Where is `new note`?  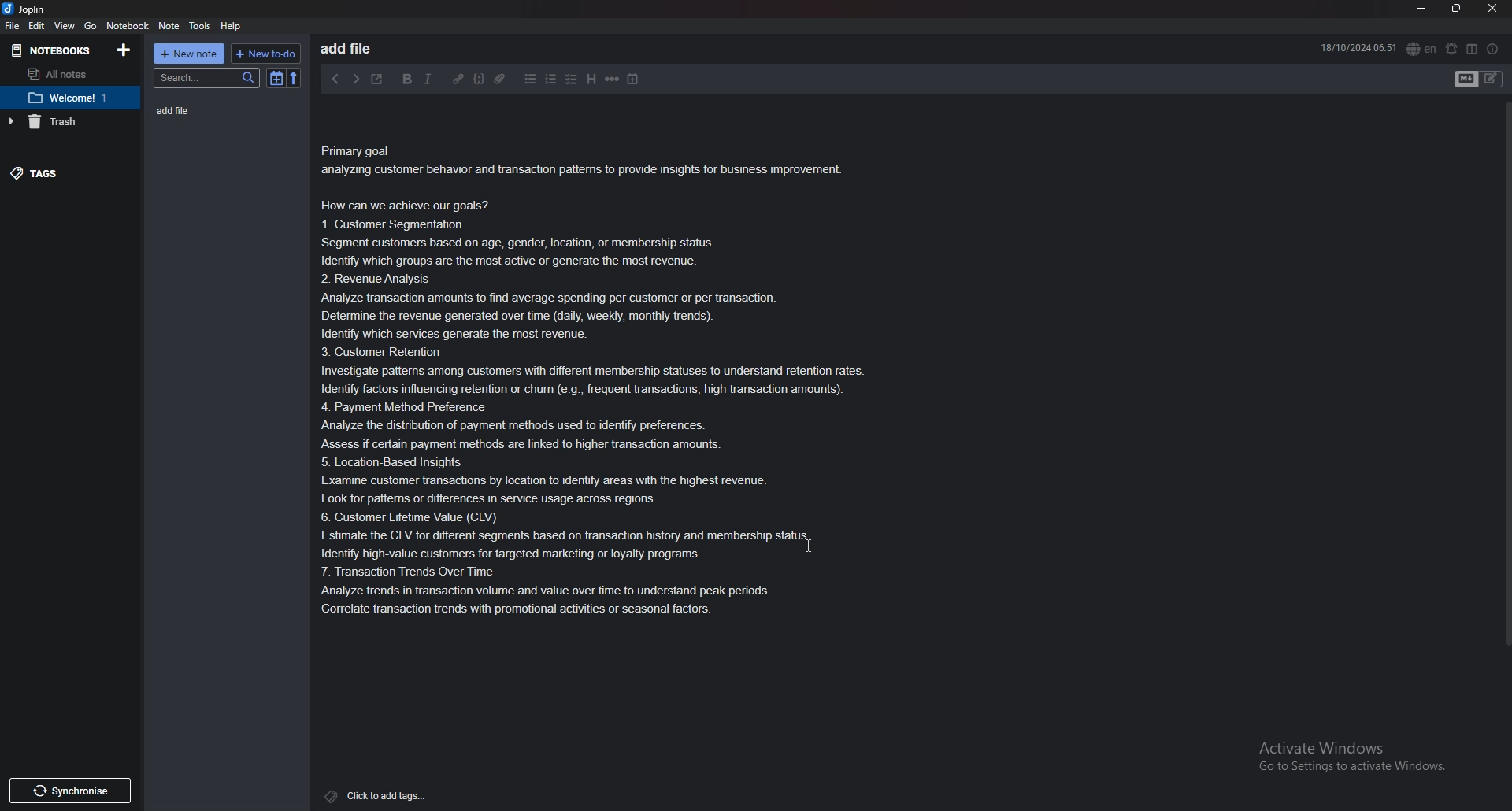 new note is located at coordinates (191, 54).